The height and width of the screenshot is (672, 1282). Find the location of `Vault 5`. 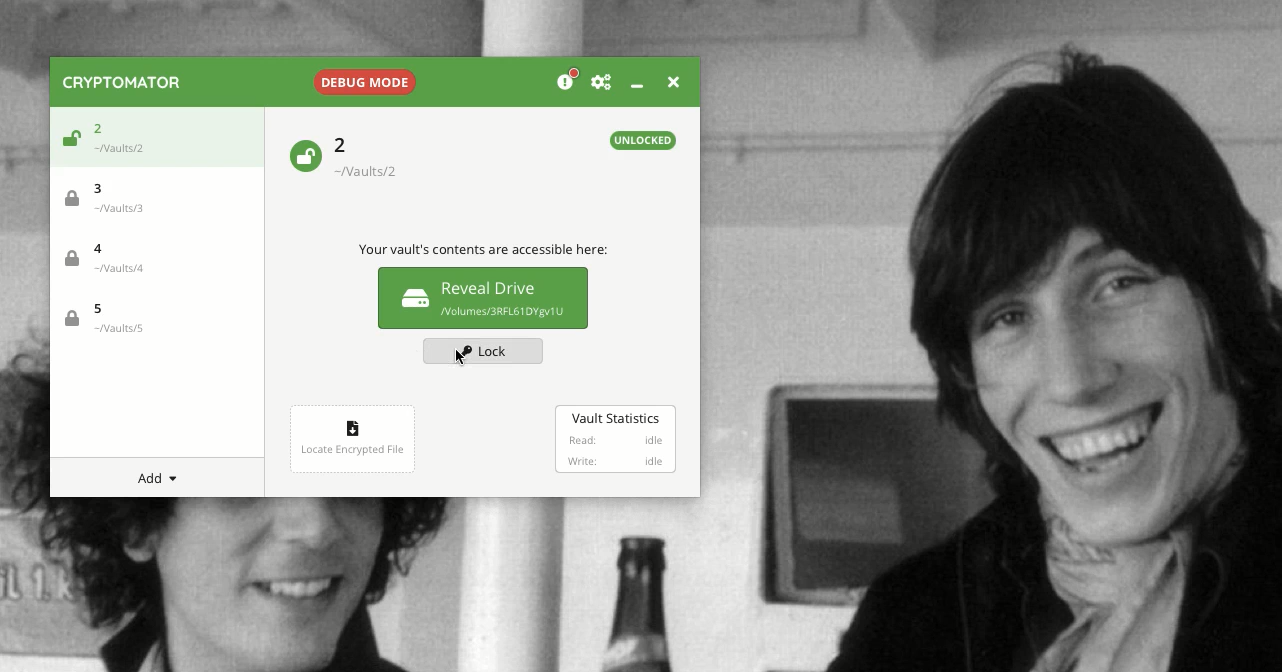

Vault 5 is located at coordinates (104, 319).